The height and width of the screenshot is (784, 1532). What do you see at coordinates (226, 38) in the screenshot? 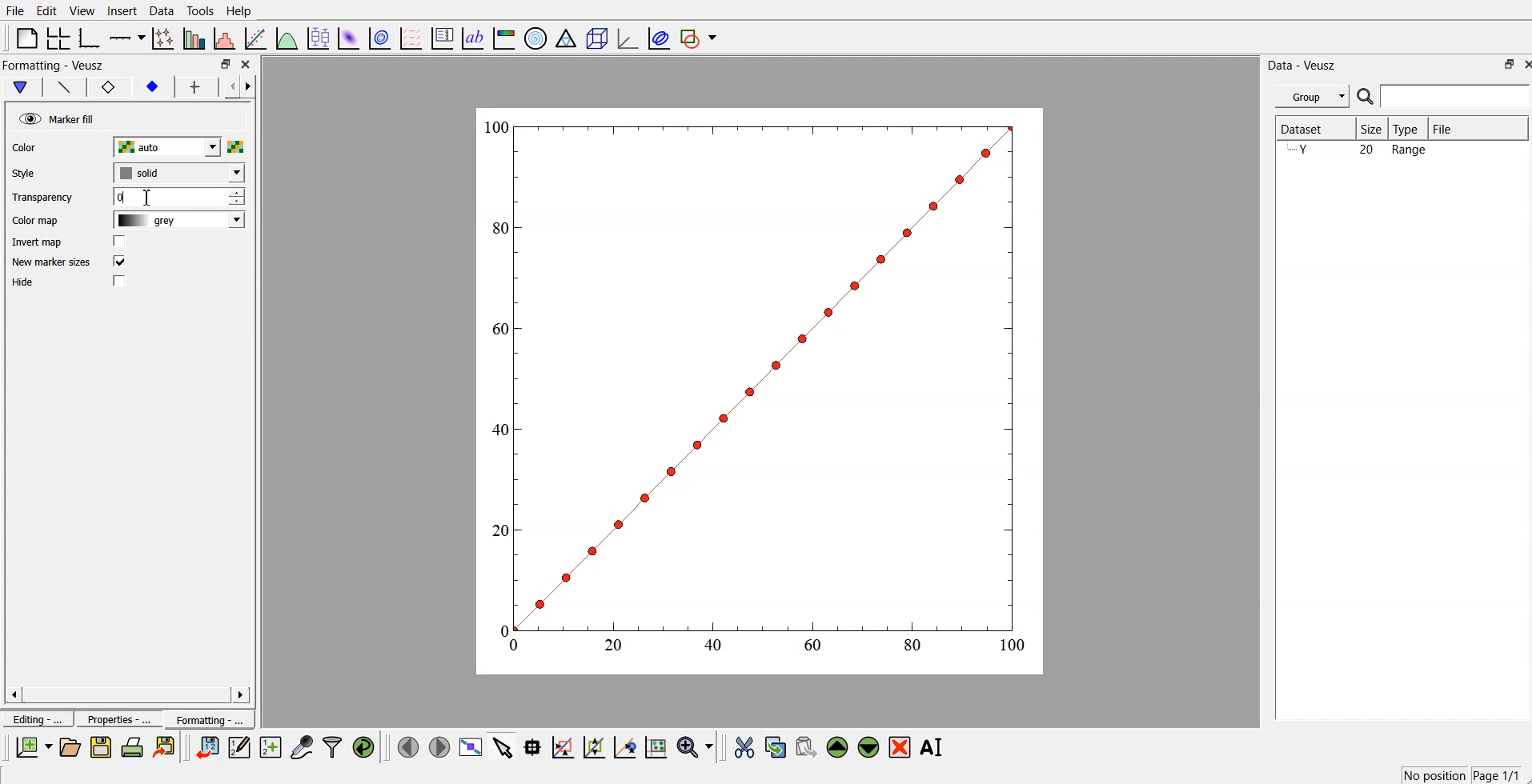
I see `histogram of dataset` at bounding box center [226, 38].